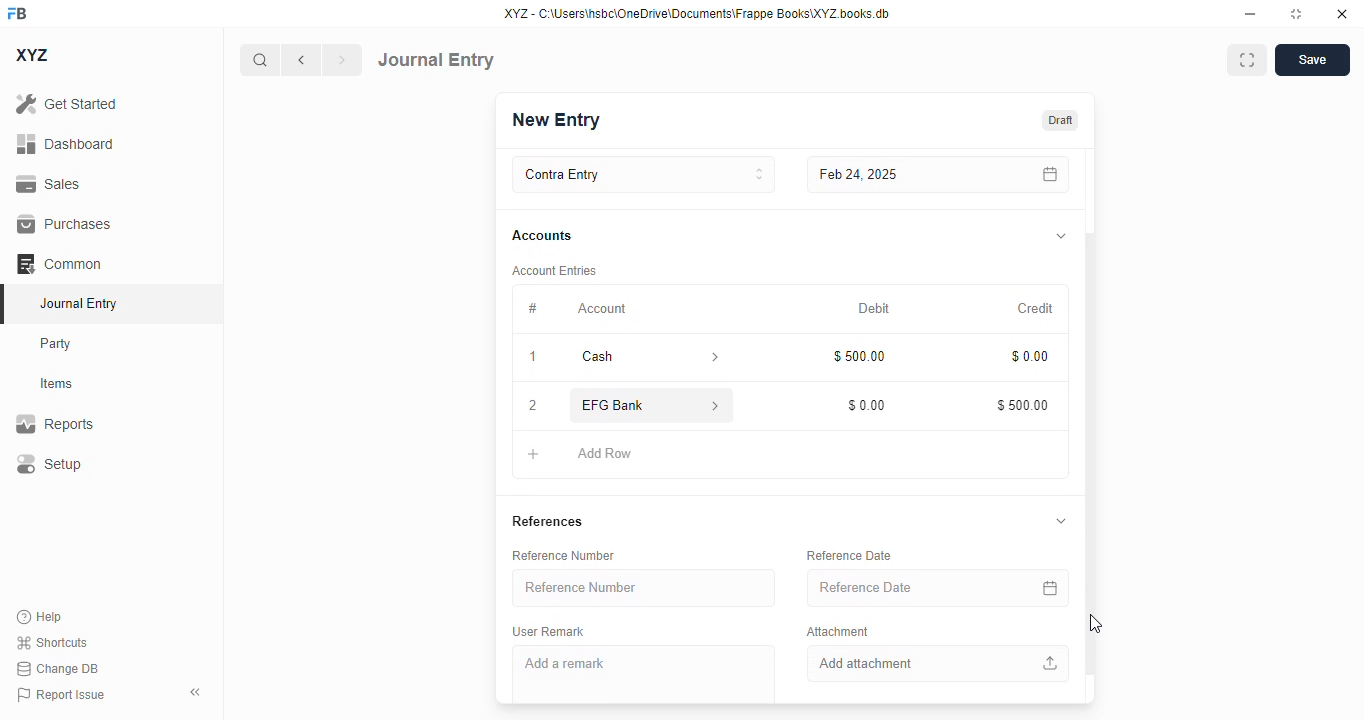 The height and width of the screenshot is (720, 1364). What do you see at coordinates (1296, 14) in the screenshot?
I see `toggle maximize` at bounding box center [1296, 14].